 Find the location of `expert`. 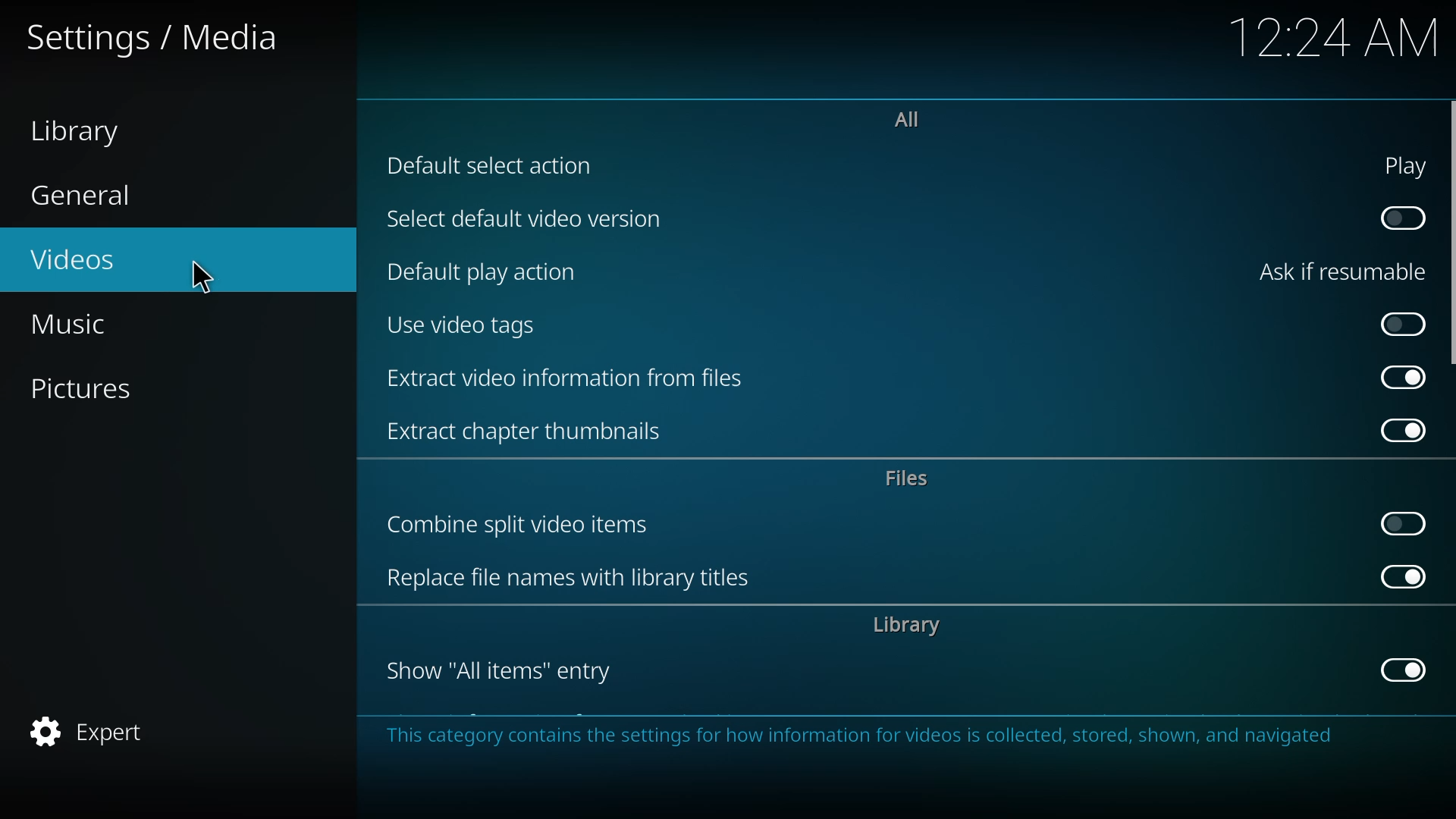

expert is located at coordinates (92, 727).